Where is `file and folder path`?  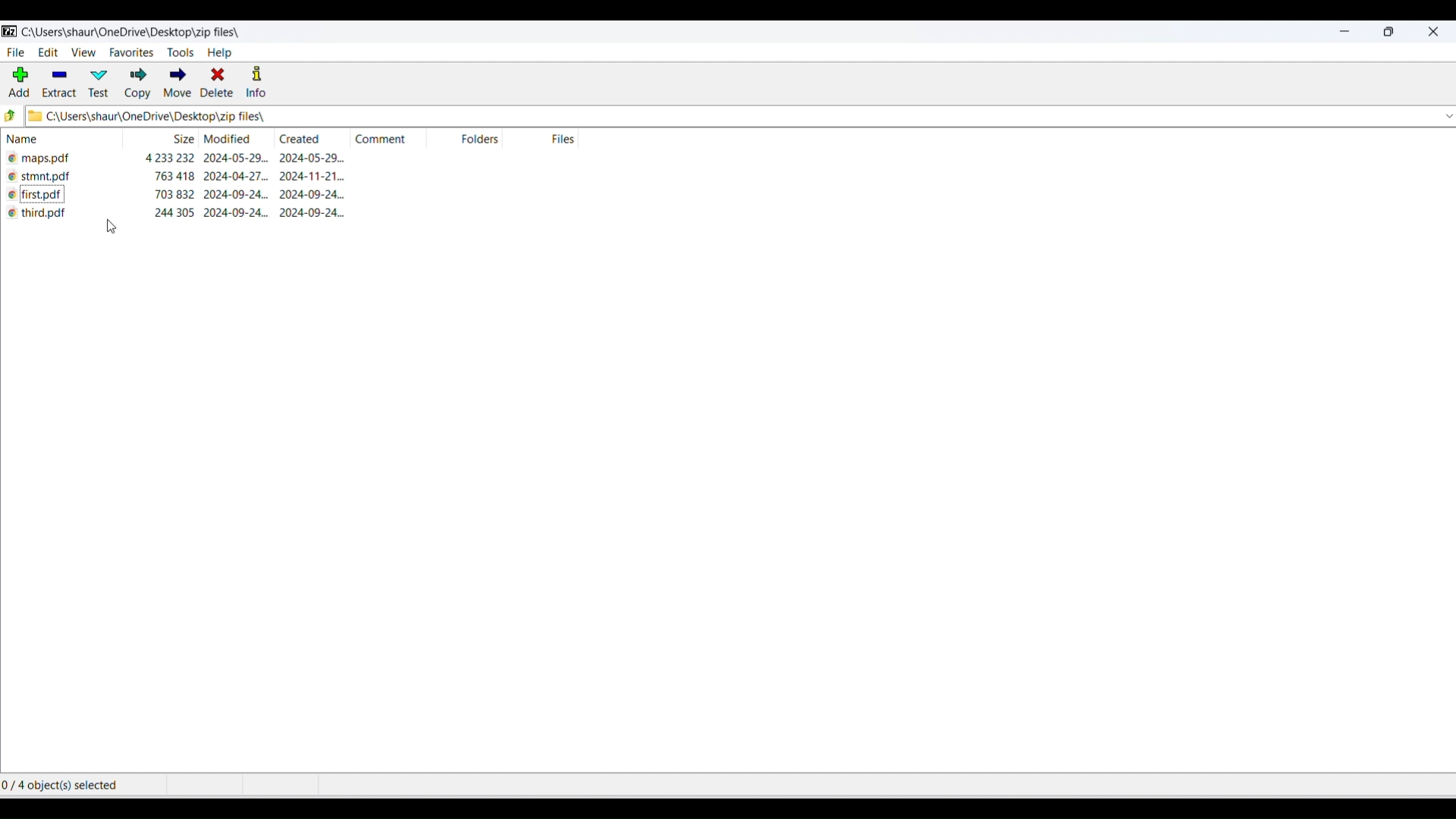 file and folder path is located at coordinates (729, 118).